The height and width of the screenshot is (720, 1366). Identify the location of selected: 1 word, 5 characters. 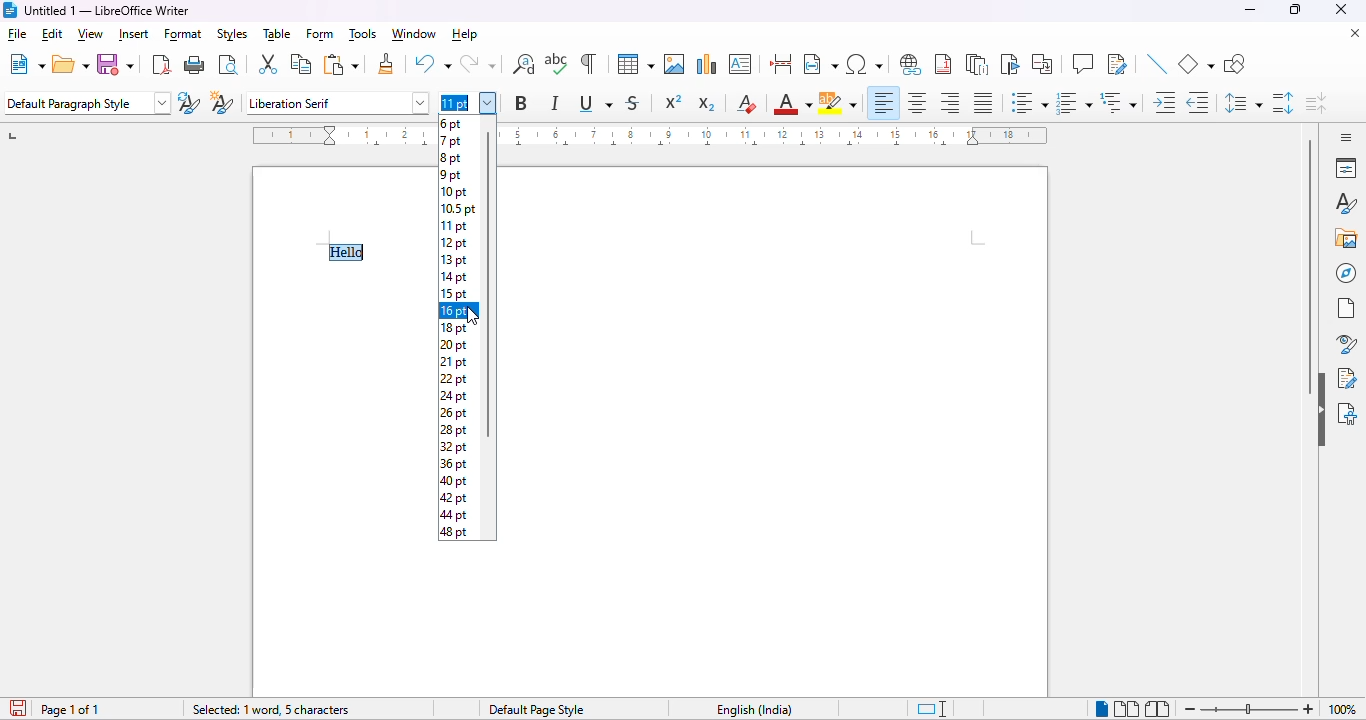
(270, 709).